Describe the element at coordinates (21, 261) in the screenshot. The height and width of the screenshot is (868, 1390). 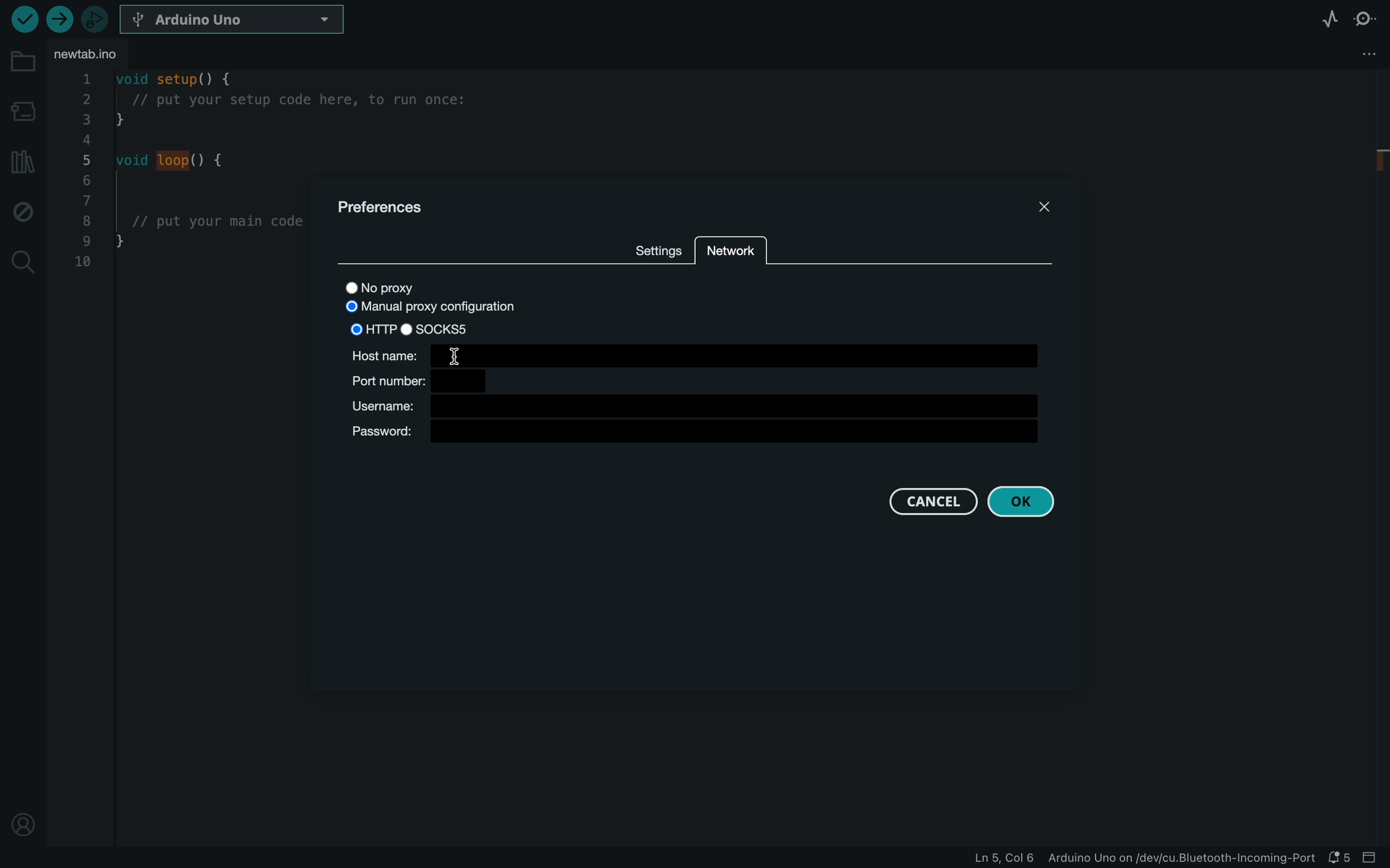
I see `search` at that location.